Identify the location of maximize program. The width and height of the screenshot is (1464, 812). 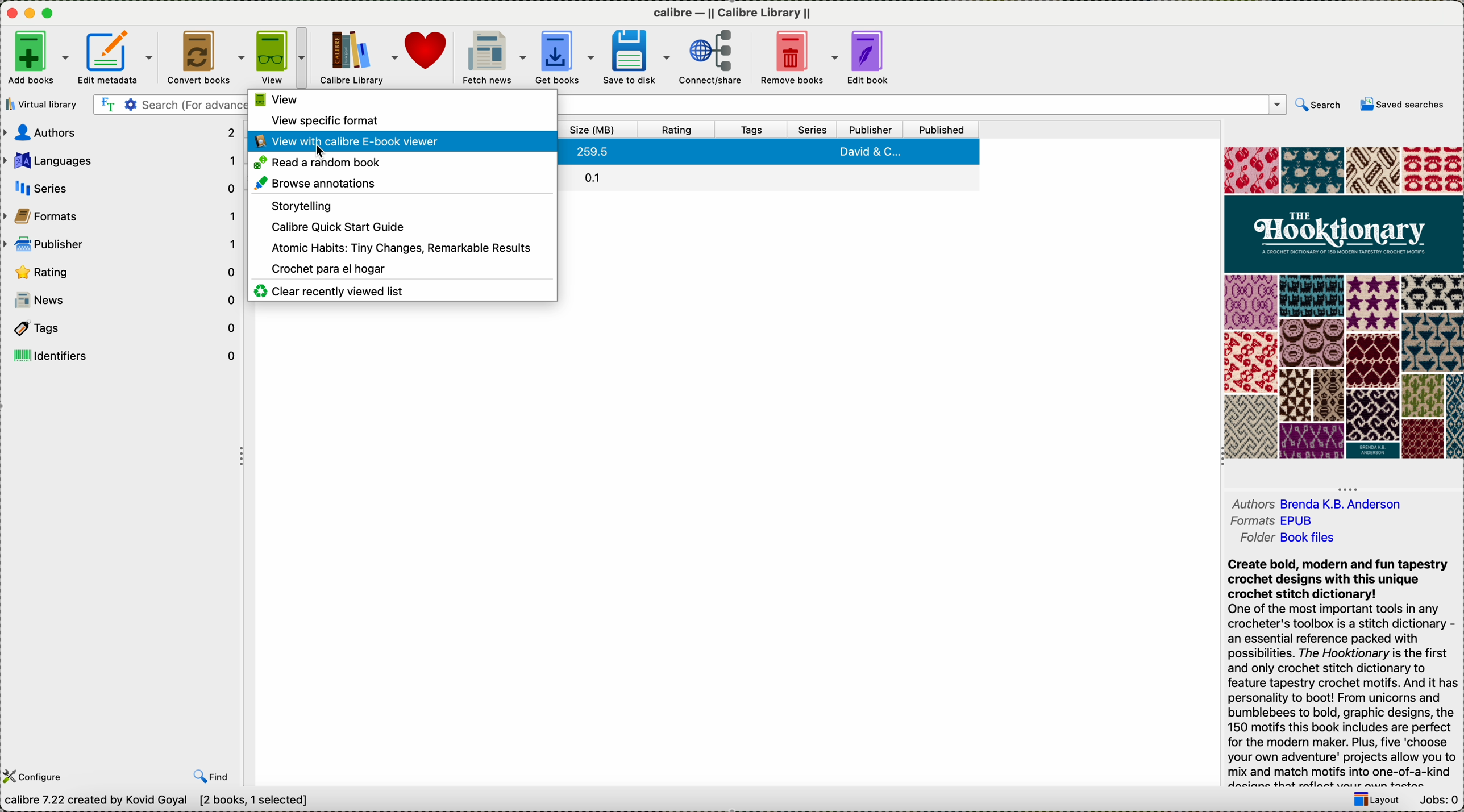
(48, 14).